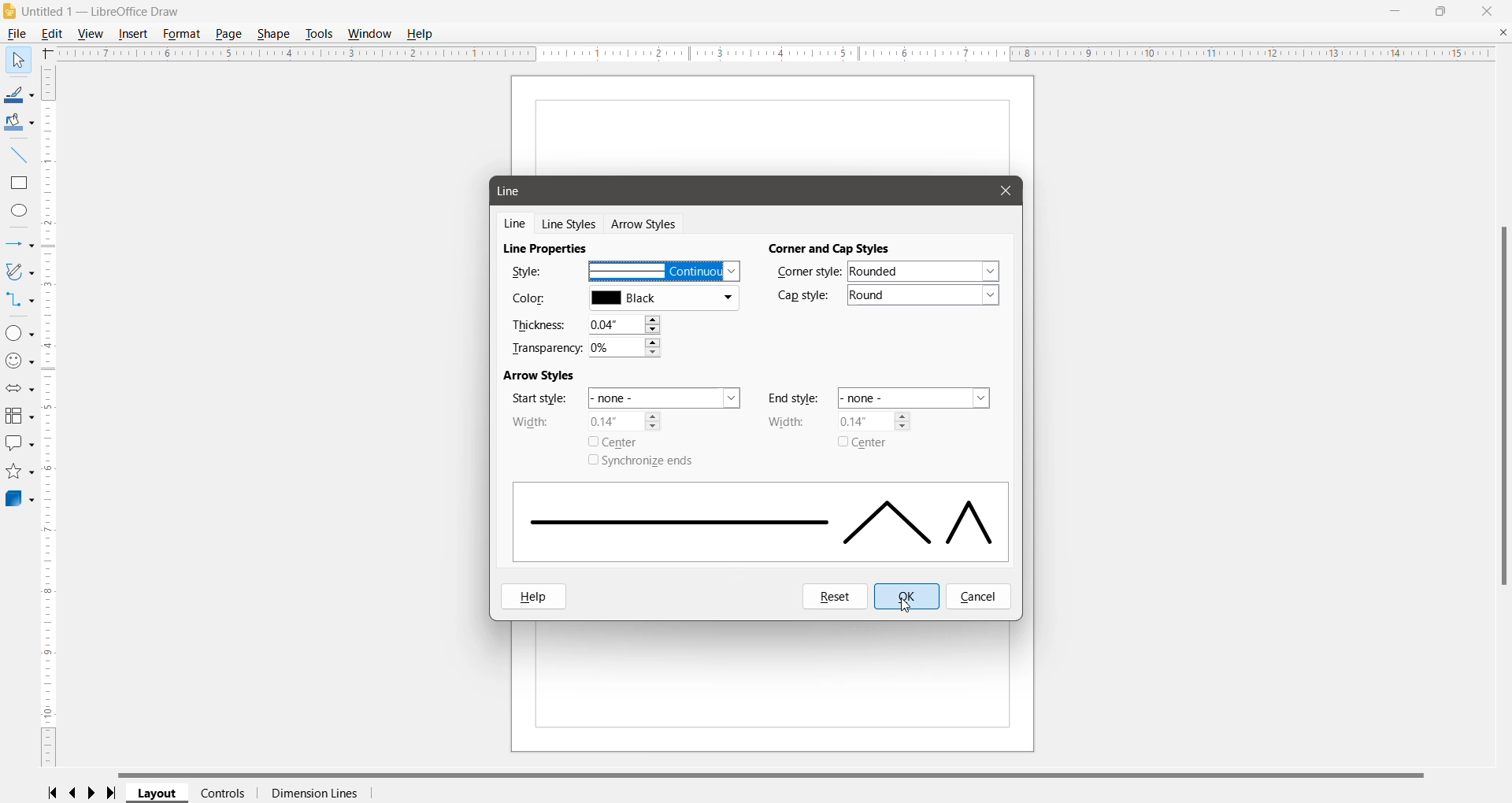 The height and width of the screenshot is (803, 1512). What do you see at coordinates (536, 423) in the screenshot?
I see `Width` at bounding box center [536, 423].